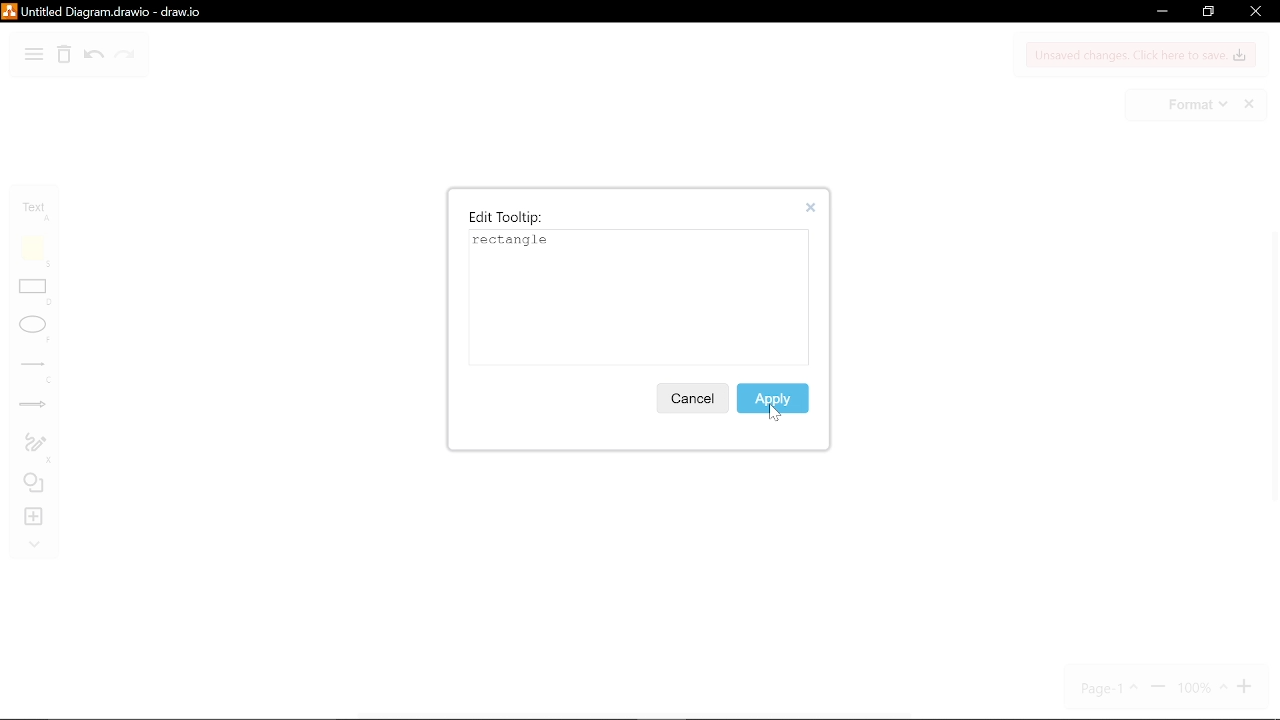  What do you see at coordinates (1201, 688) in the screenshot?
I see `current zoom` at bounding box center [1201, 688].